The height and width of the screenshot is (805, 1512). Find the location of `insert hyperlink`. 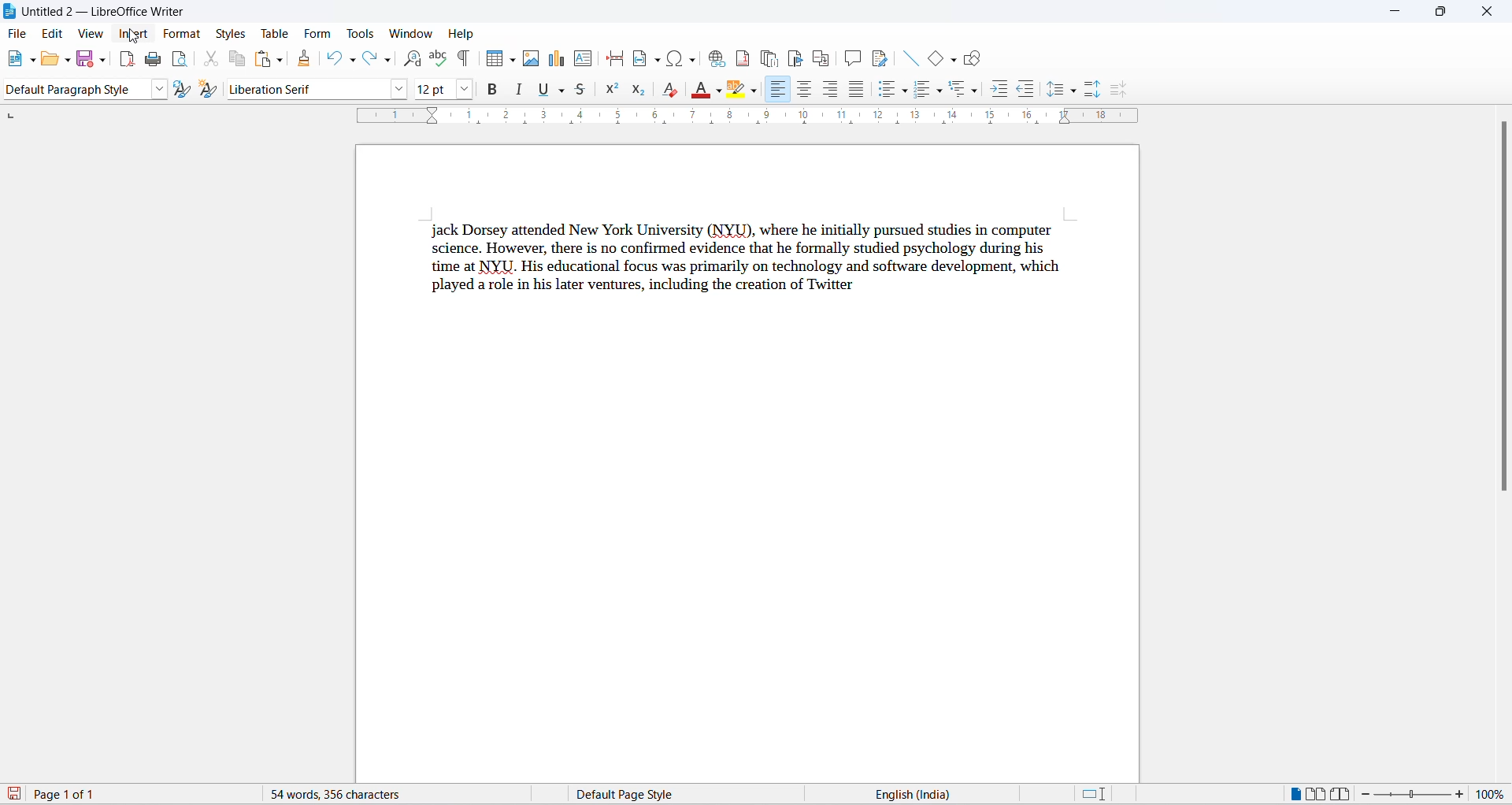

insert hyperlink is located at coordinates (713, 59).